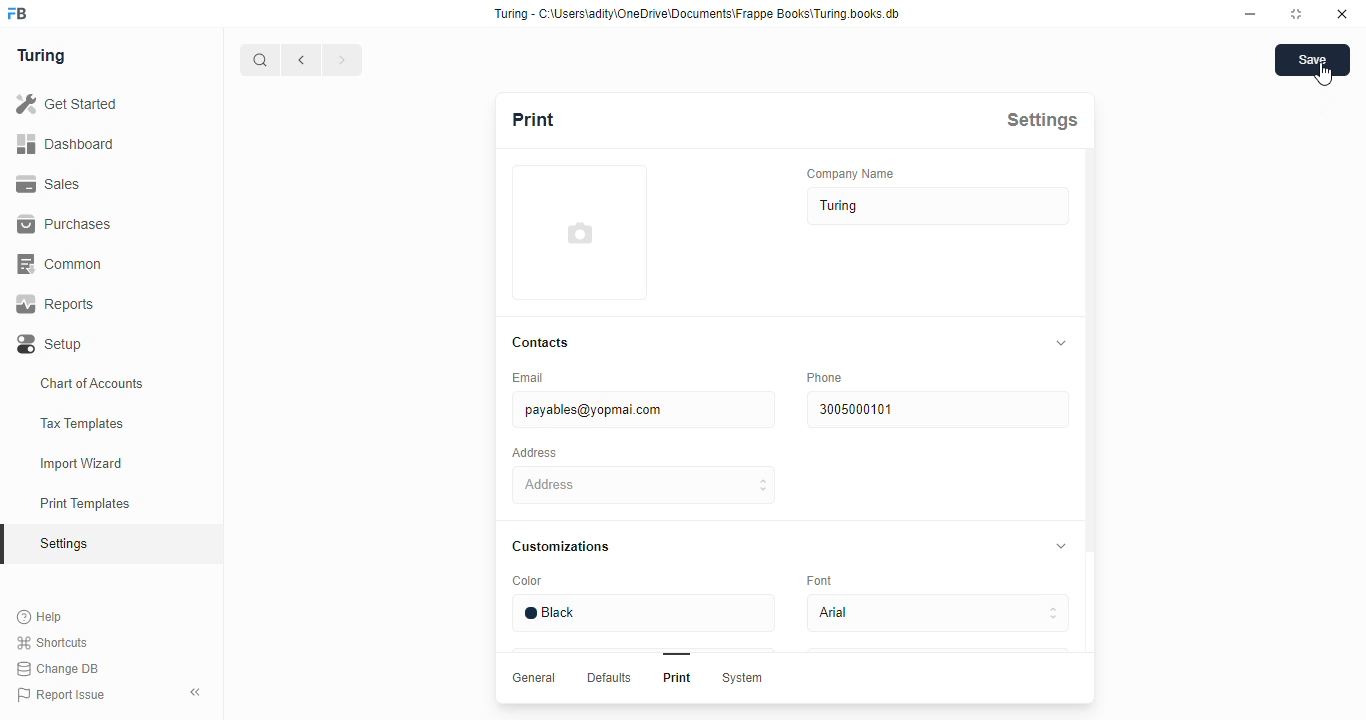 Image resolution: width=1366 pixels, height=720 pixels. What do you see at coordinates (1056, 341) in the screenshot?
I see `collapse` at bounding box center [1056, 341].